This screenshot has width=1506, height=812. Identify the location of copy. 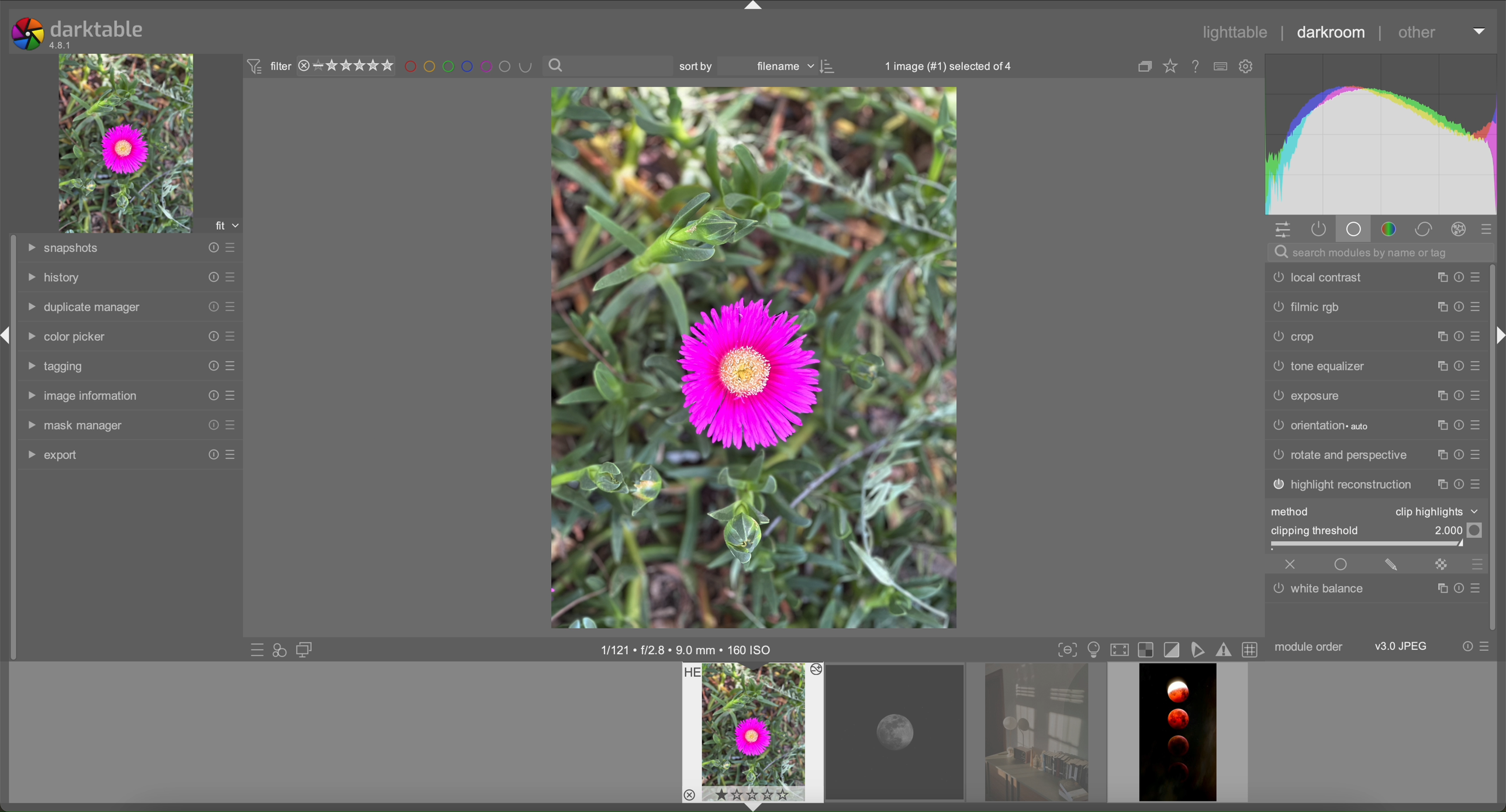
(1439, 279).